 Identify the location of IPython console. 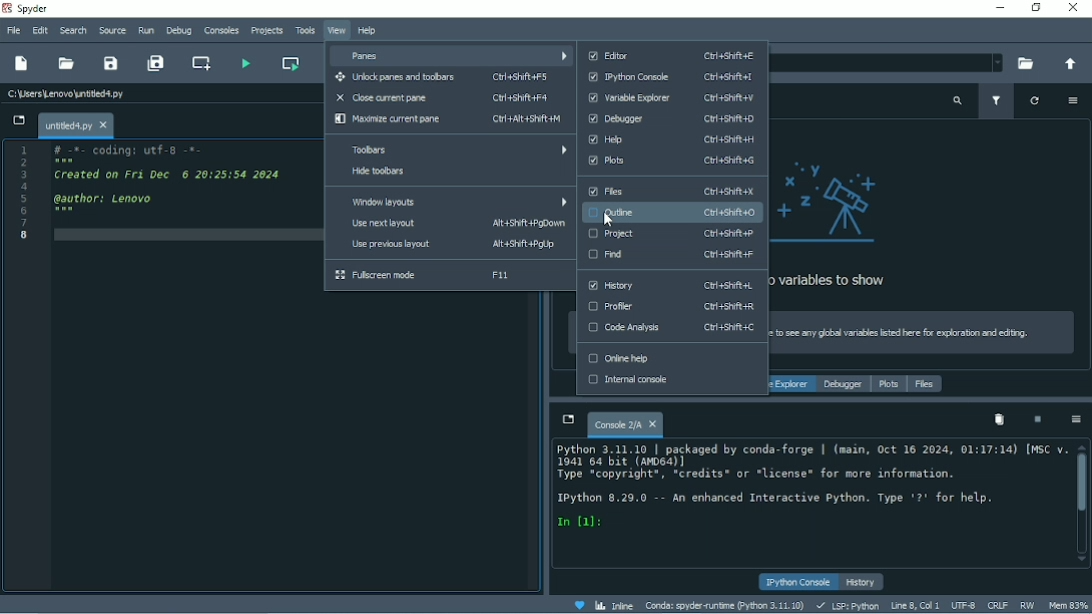
(800, 582).